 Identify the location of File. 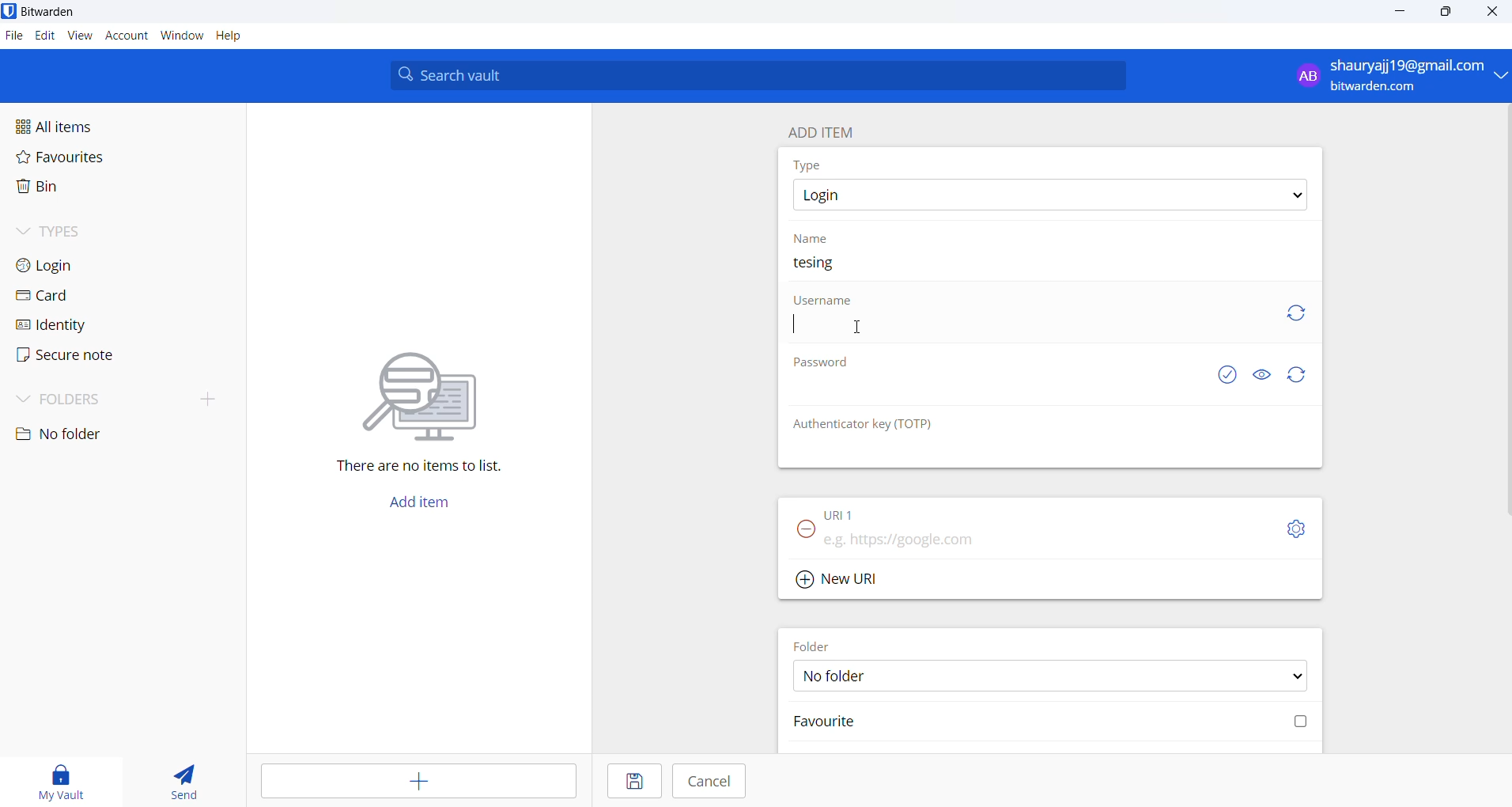
(13, 36).